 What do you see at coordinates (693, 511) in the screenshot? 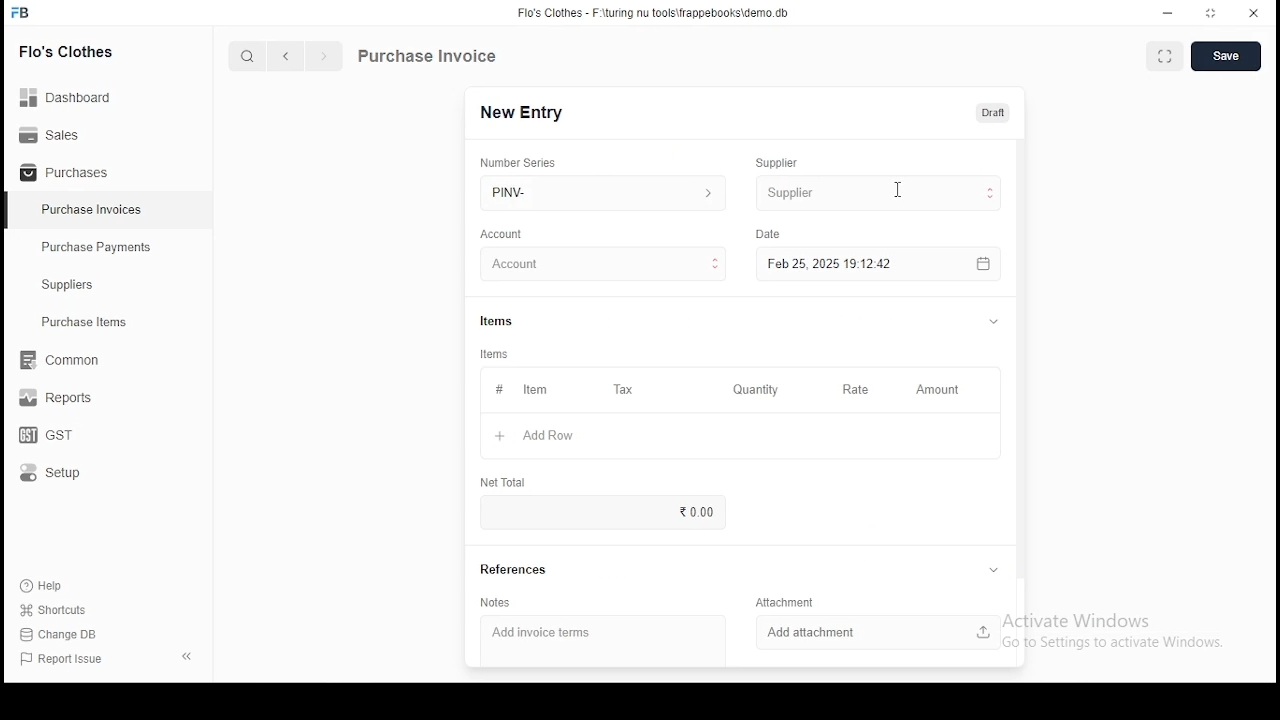
I see `0.00` at bounding box center [693, 511].